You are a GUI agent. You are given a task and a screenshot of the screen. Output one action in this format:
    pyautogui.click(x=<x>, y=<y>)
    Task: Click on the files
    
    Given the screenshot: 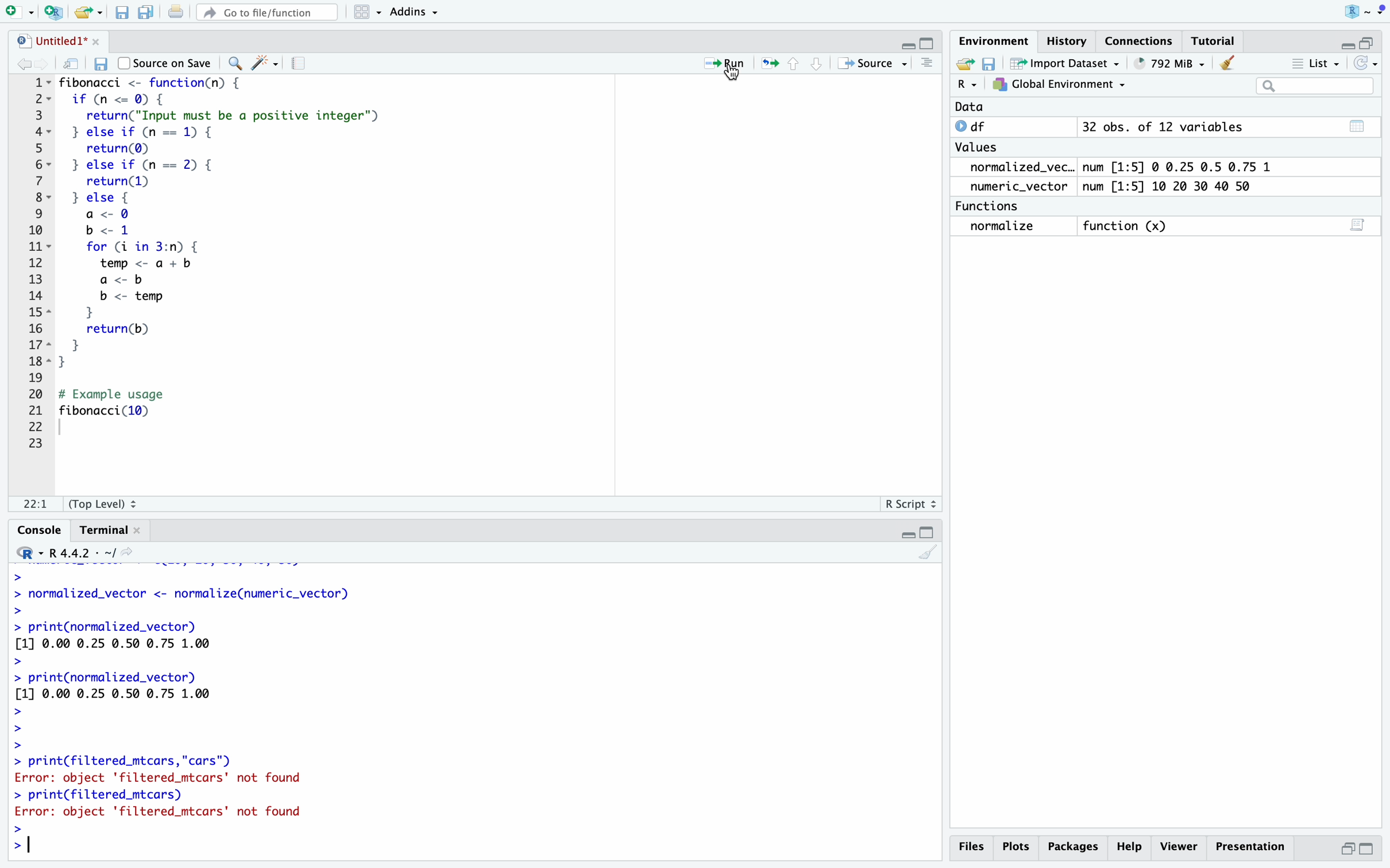 What is the action you would take?
    pyautogui.click(x=971, y=846)
    